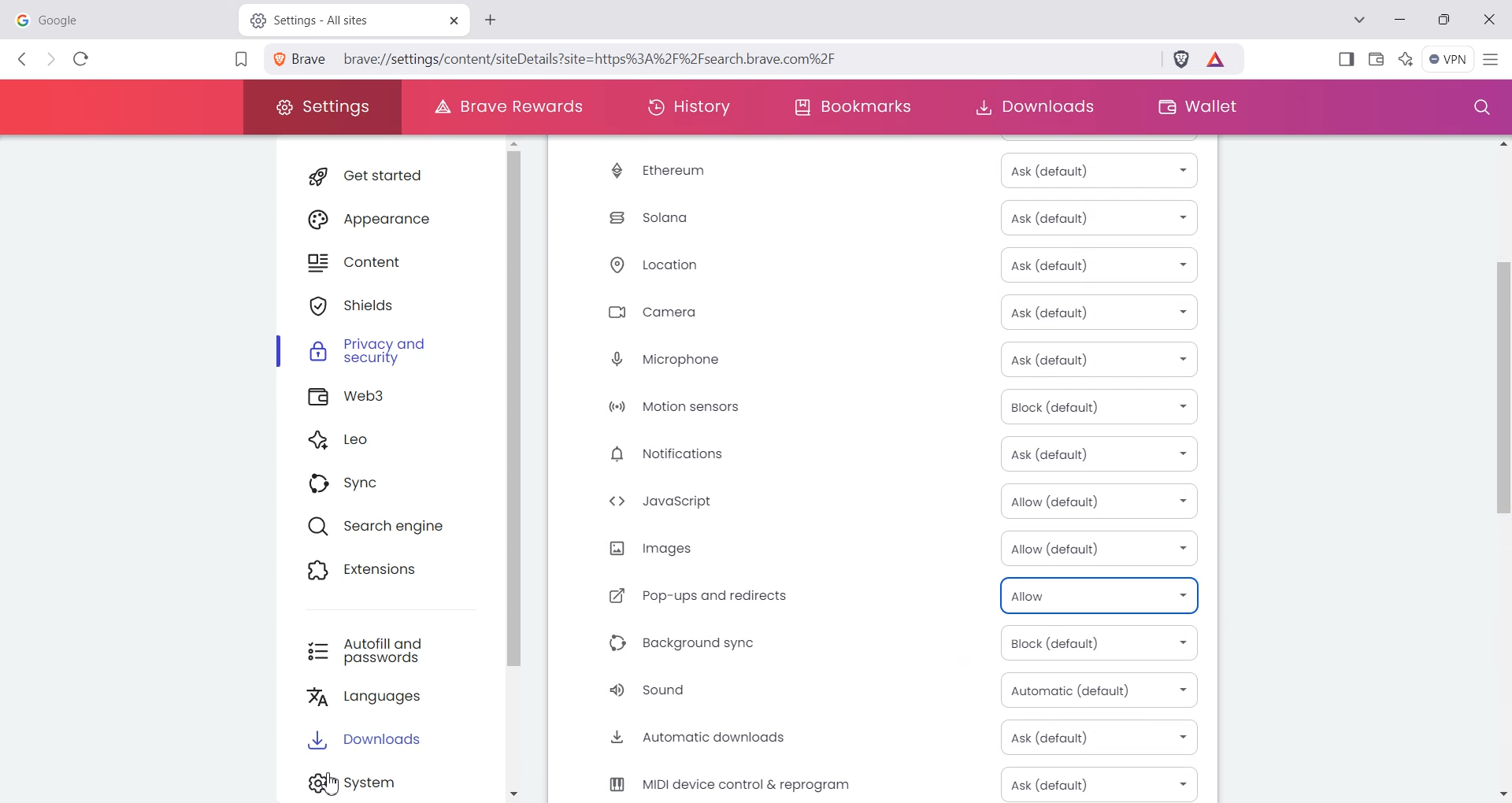  Describe the element at coordinates (396, 743) in the screenshot. I see `Downloads` at that location.